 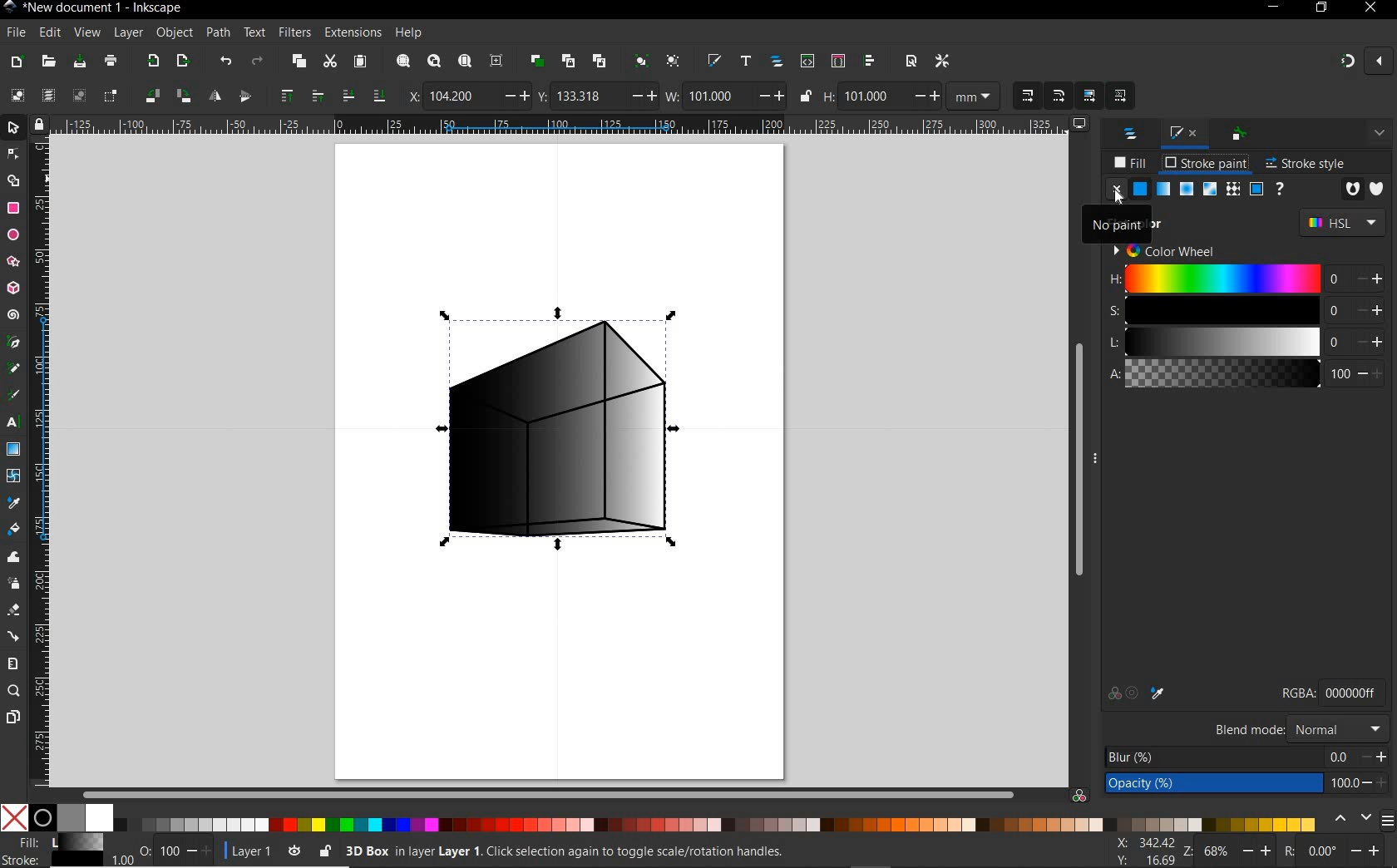 I want to click on LOWER SELECTION, so click(x=347, y=94).